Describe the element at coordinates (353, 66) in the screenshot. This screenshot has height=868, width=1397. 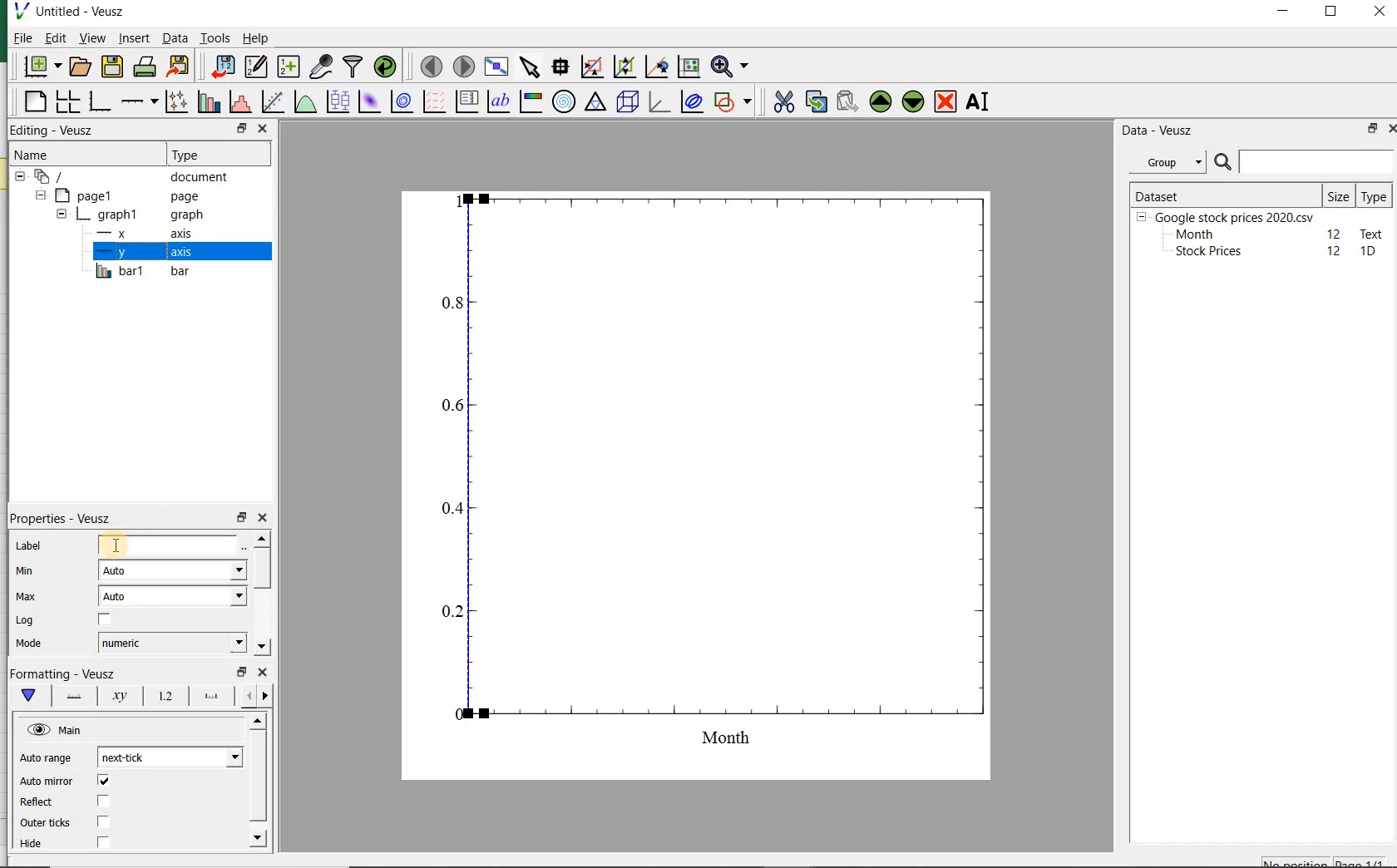
I see `filter data` at that location.